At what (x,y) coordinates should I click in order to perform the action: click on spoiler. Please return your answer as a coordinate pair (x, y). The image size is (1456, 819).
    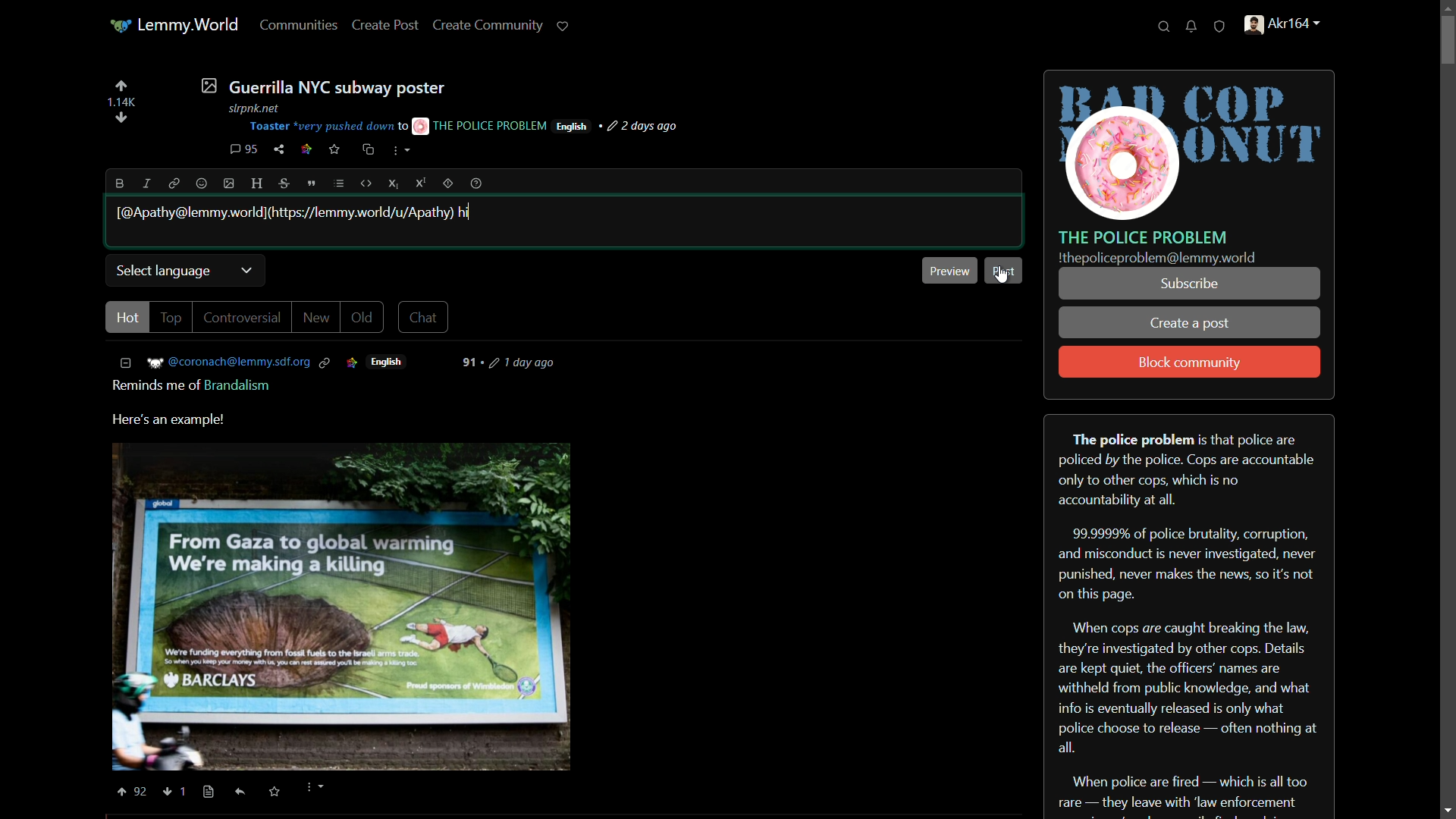
    Looking at the image, I should click on (447, 183).